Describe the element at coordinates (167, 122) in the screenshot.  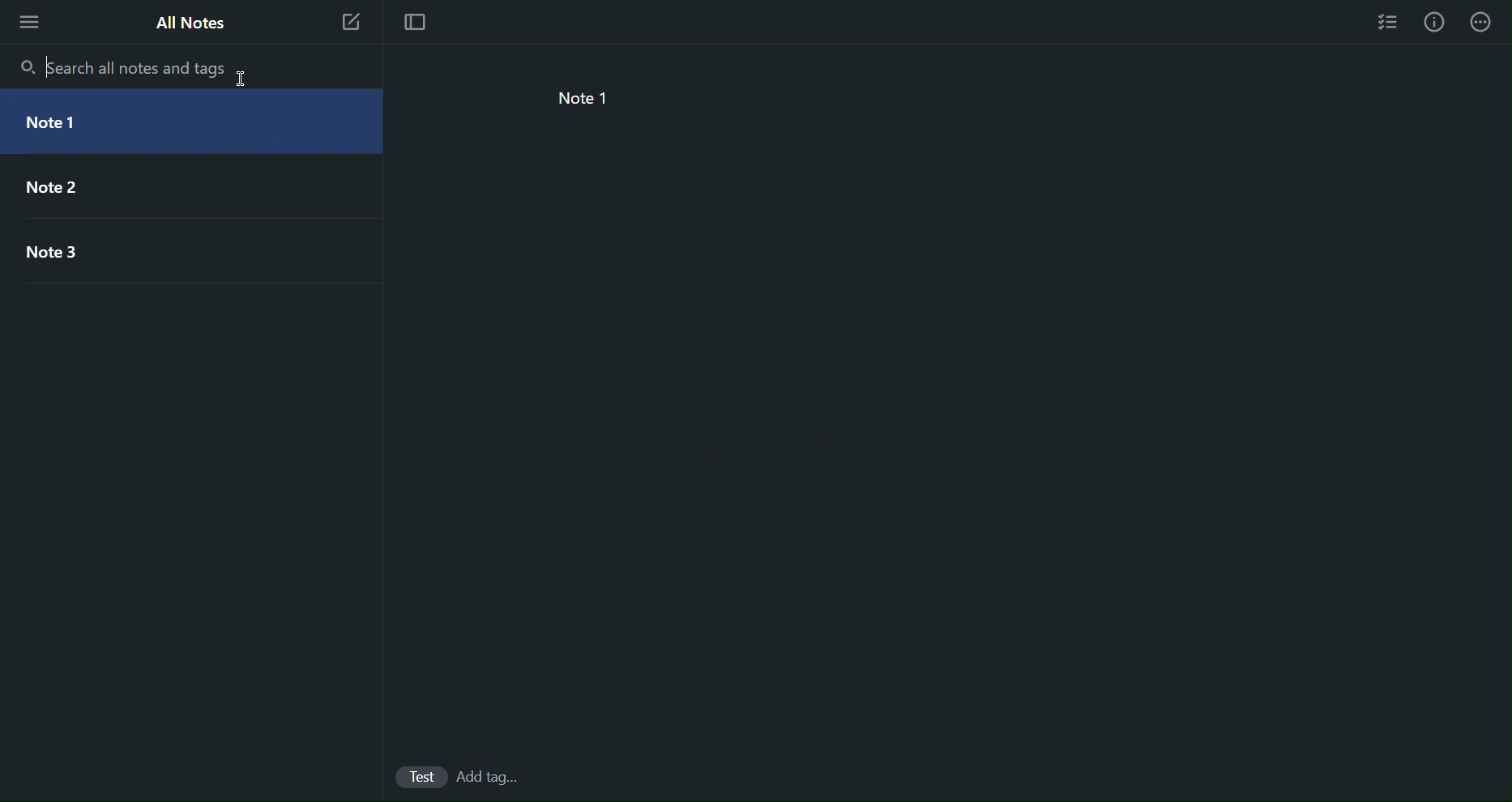
I see `Note 1` at that location.